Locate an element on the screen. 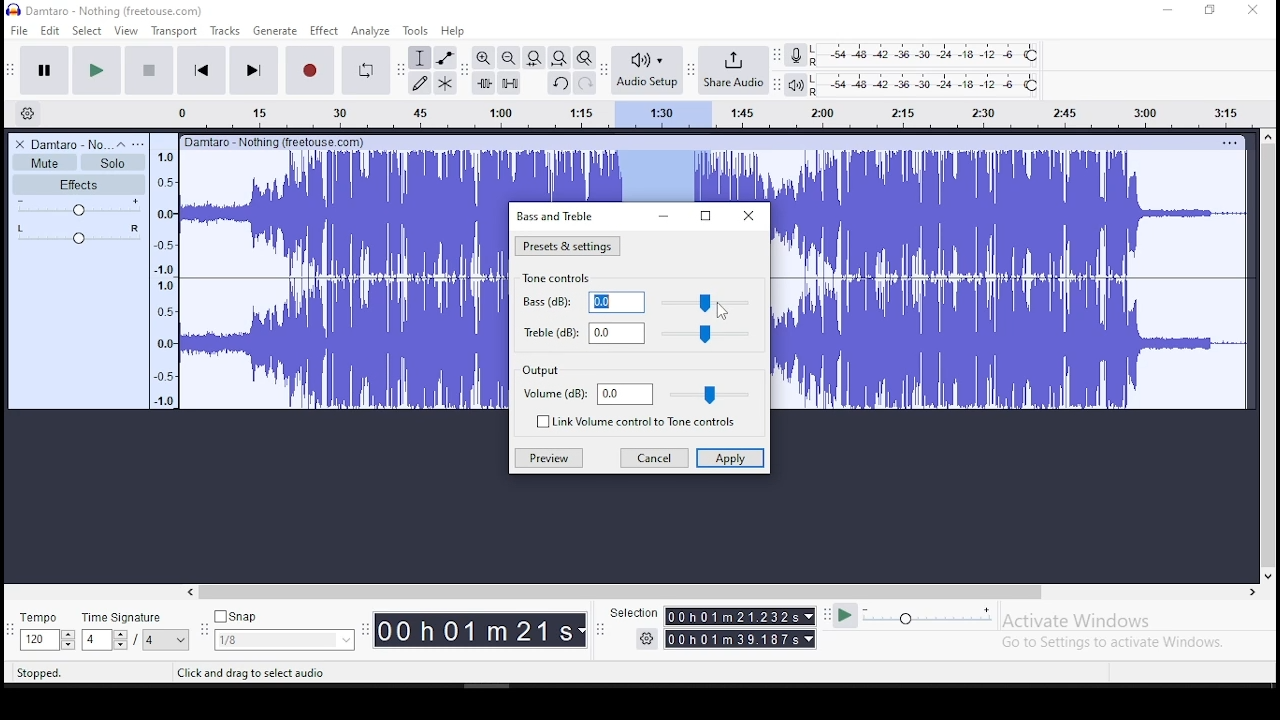 This screenshot has width=1280, height=720. drop down is located at coordinates (182, 640).